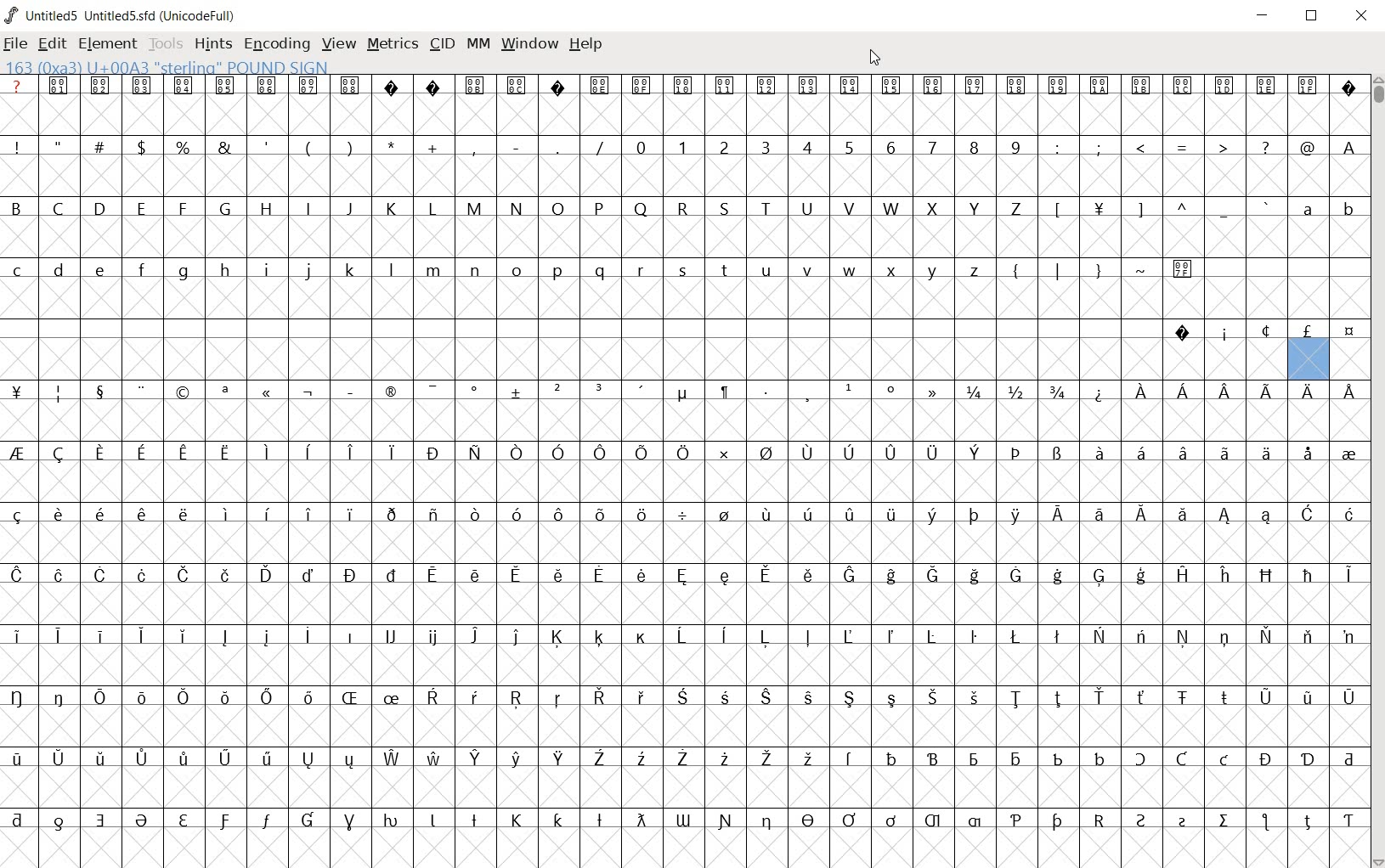 This screenshot has width=1385, height=868. Describe the element at coordinates (768, 85) in the screenshot. I see `Symbol` at that location.